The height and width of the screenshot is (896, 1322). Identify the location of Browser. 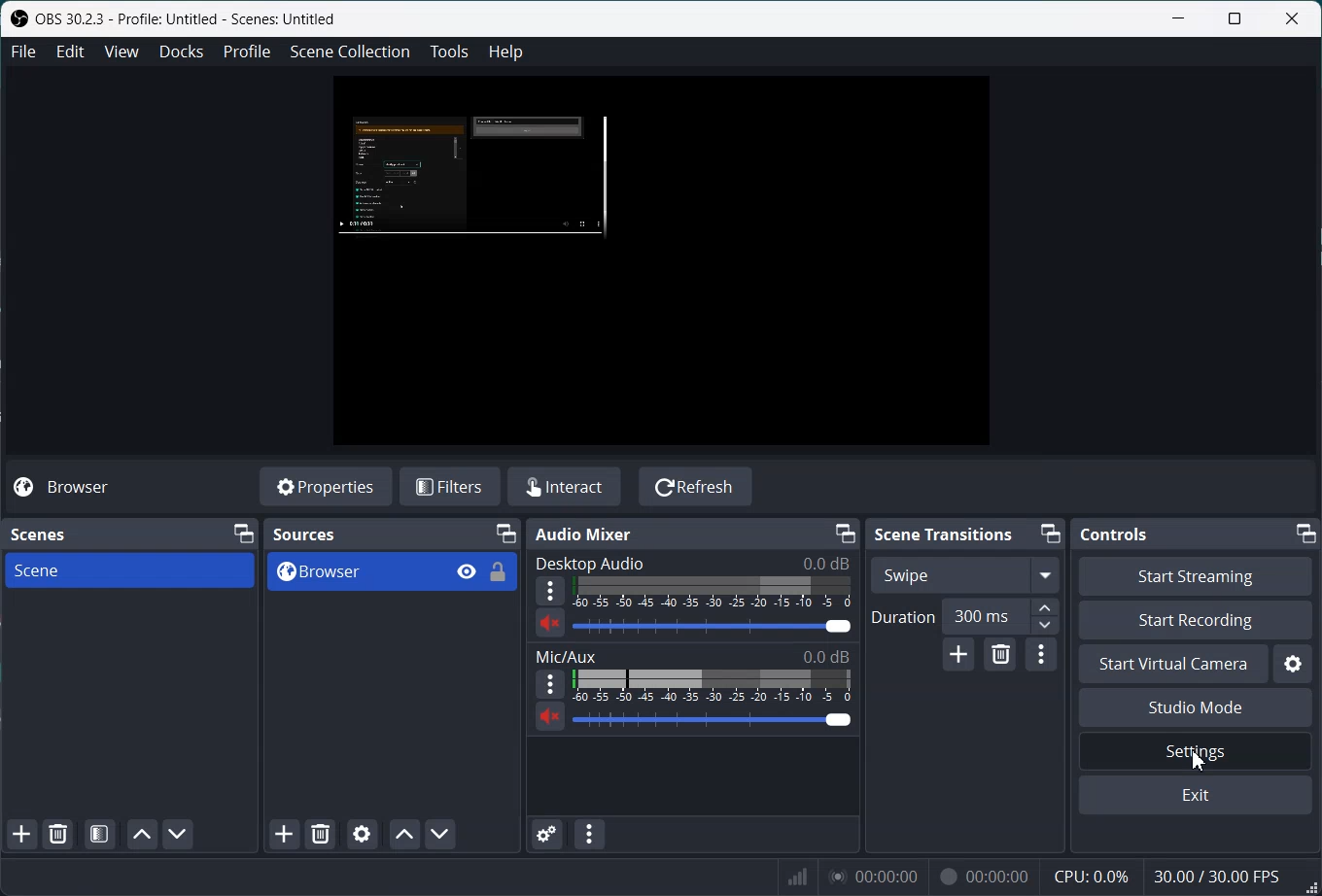
(354, 572).